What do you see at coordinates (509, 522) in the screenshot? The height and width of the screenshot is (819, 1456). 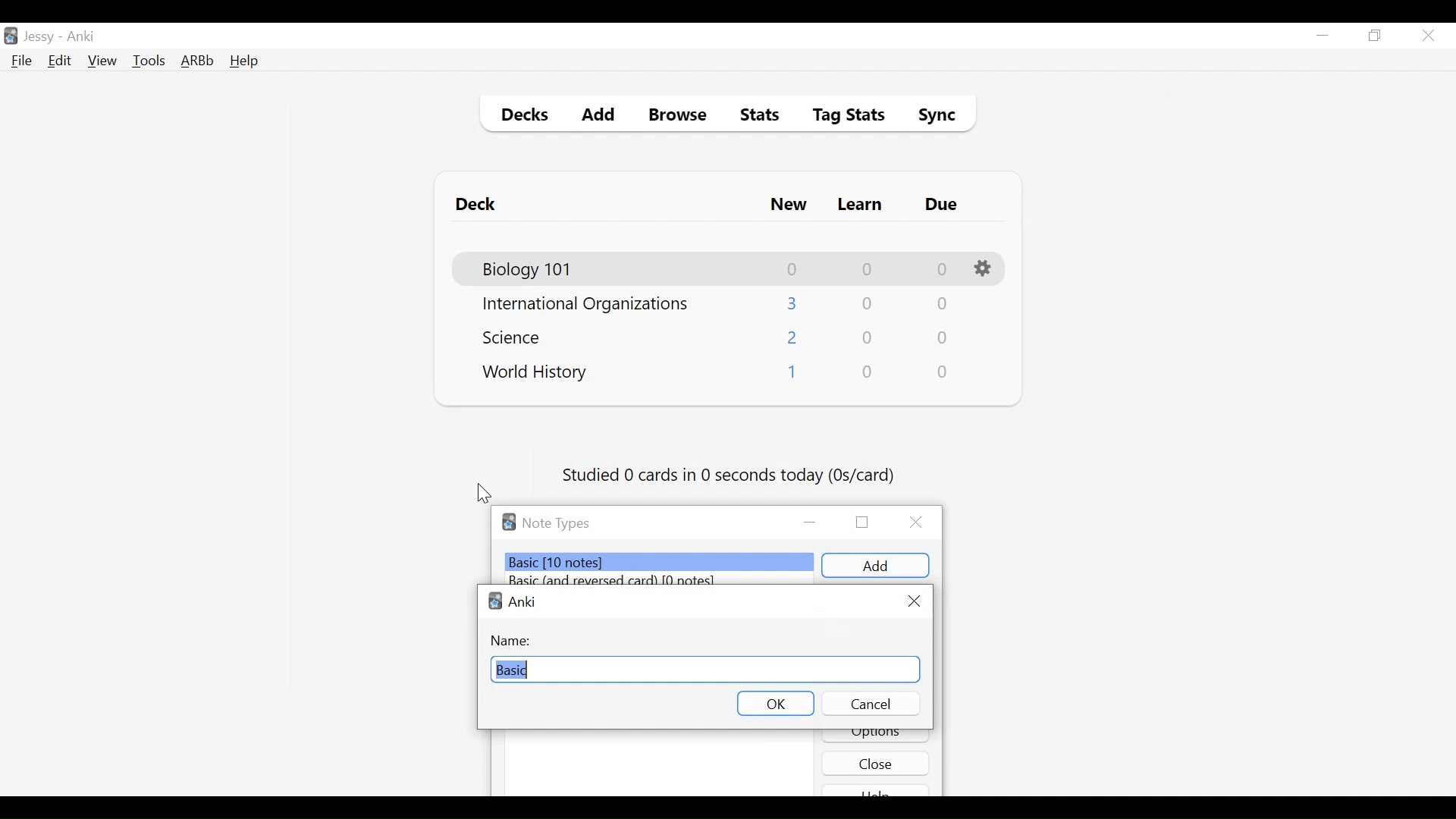 I see `Software logo` at bounding box center [509, 522].